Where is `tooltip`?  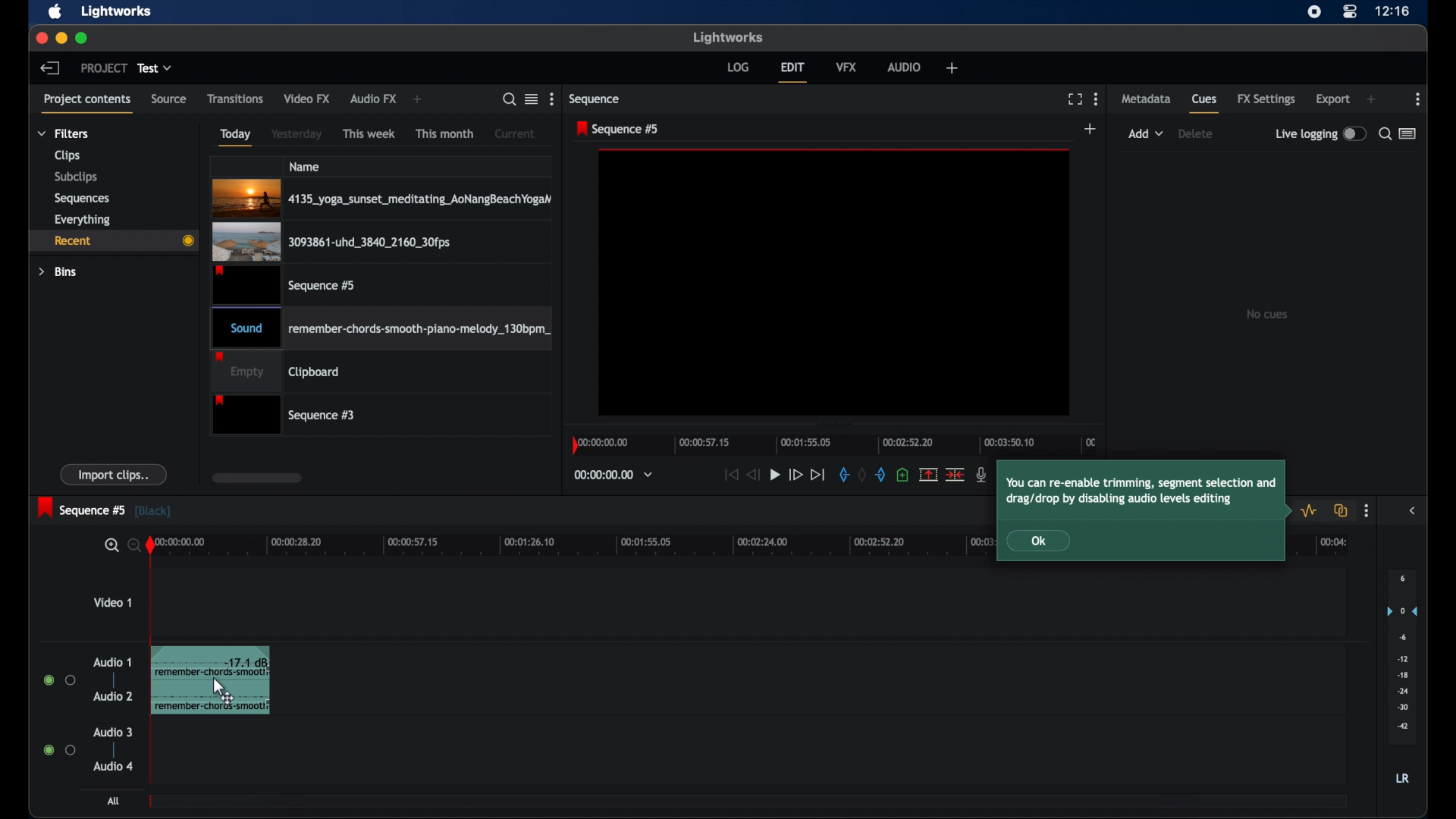 tooltip is located at coordinates (1146, 491).